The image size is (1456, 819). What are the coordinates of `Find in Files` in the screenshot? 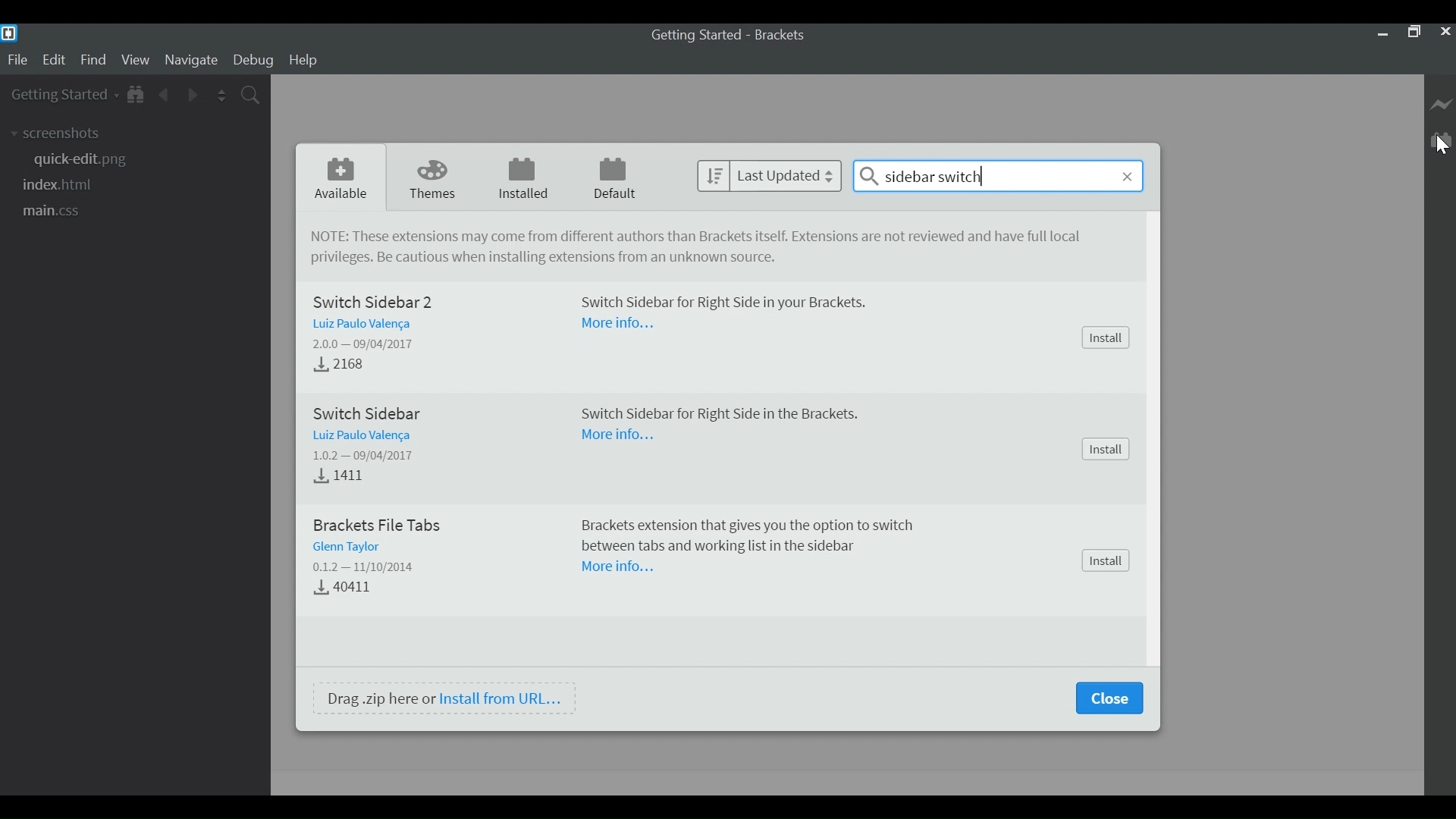 It's located at (249, 95).